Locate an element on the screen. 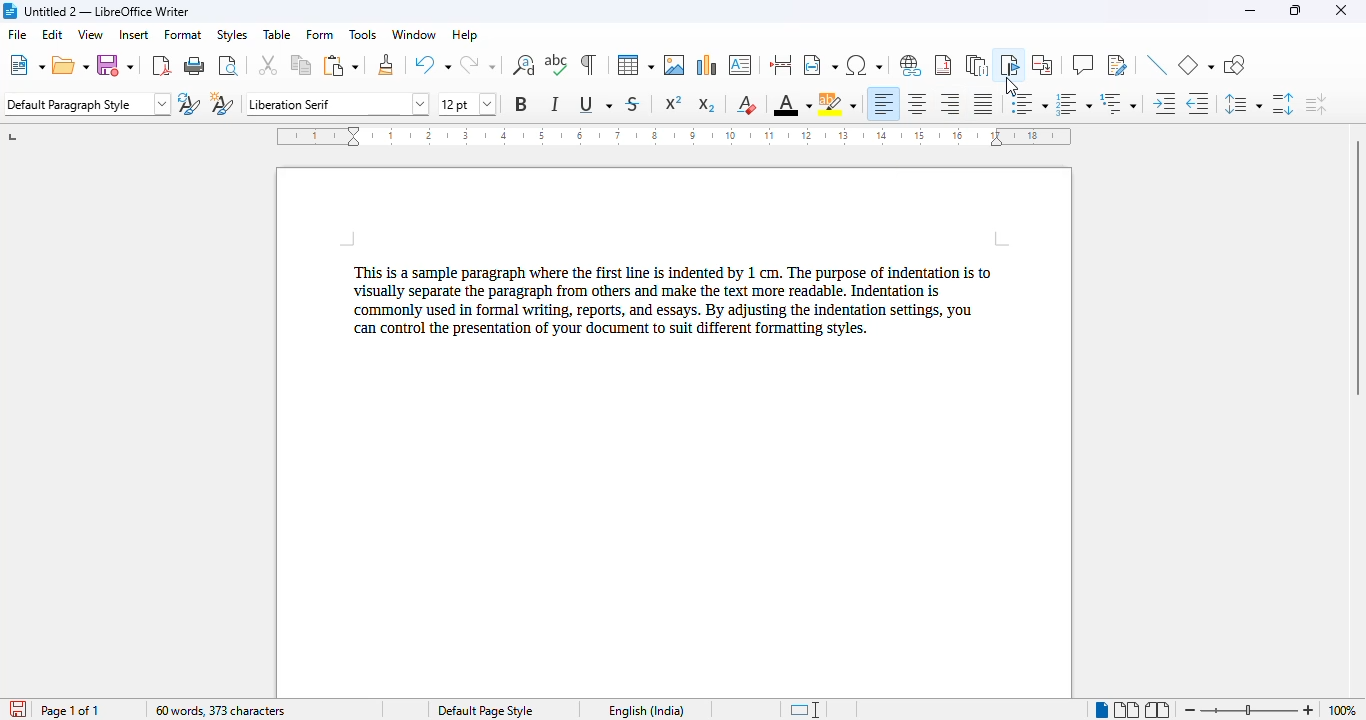 The width and height of the screenshot is (1366, 720). multi-page view is located at coordinates (1126, 709).